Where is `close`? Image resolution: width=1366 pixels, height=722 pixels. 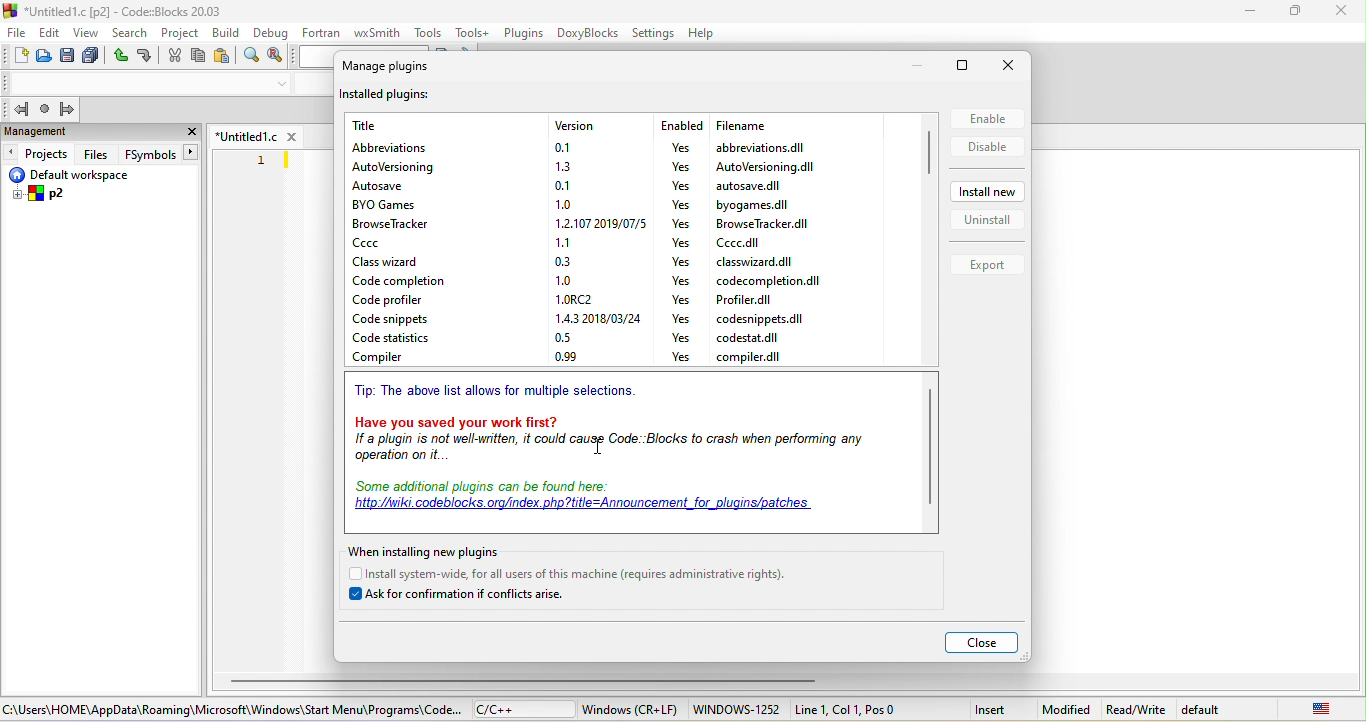
close is located at coordinates (981, 644).